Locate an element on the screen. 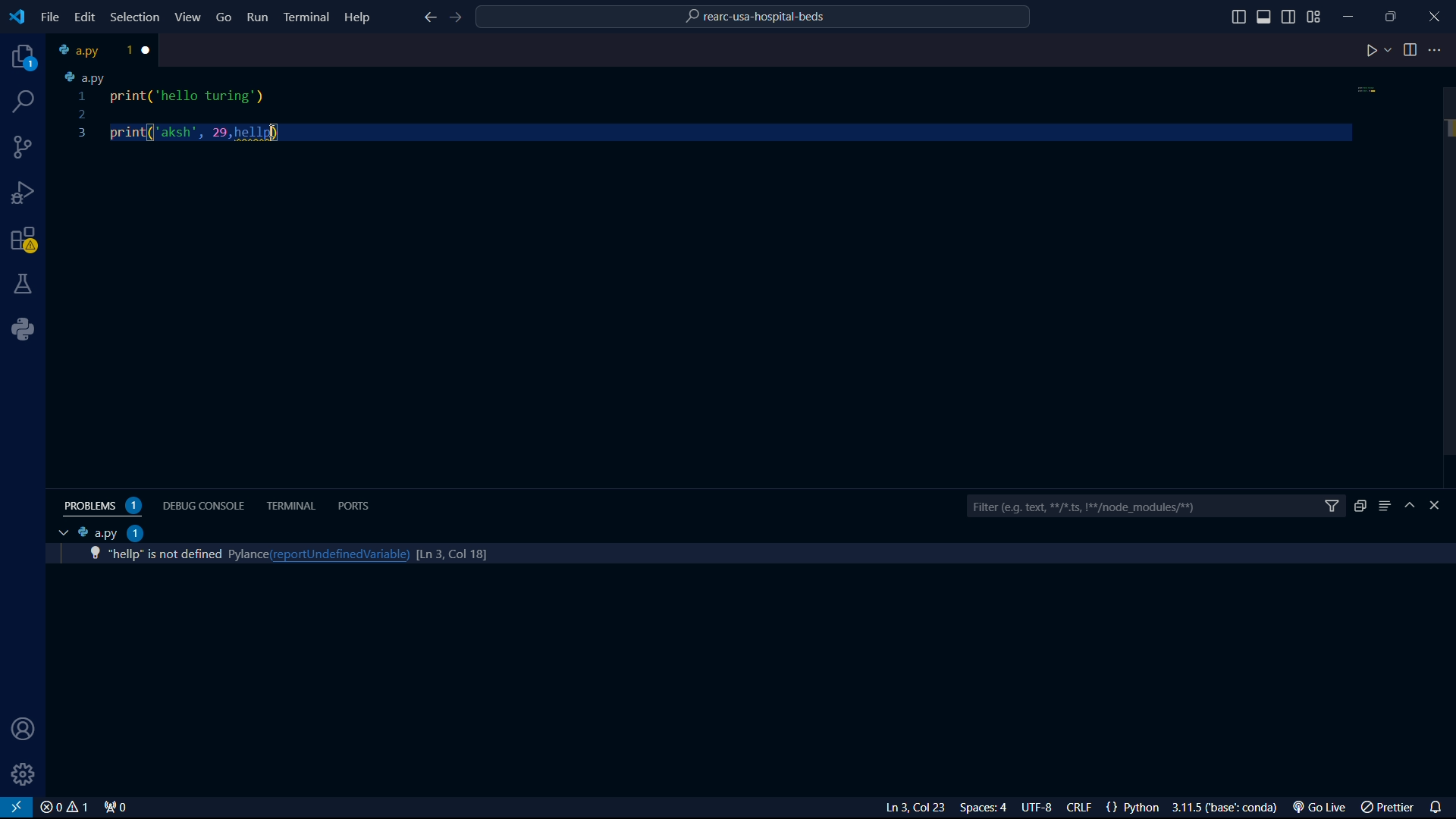  projects is located at coordinates (20, 58).